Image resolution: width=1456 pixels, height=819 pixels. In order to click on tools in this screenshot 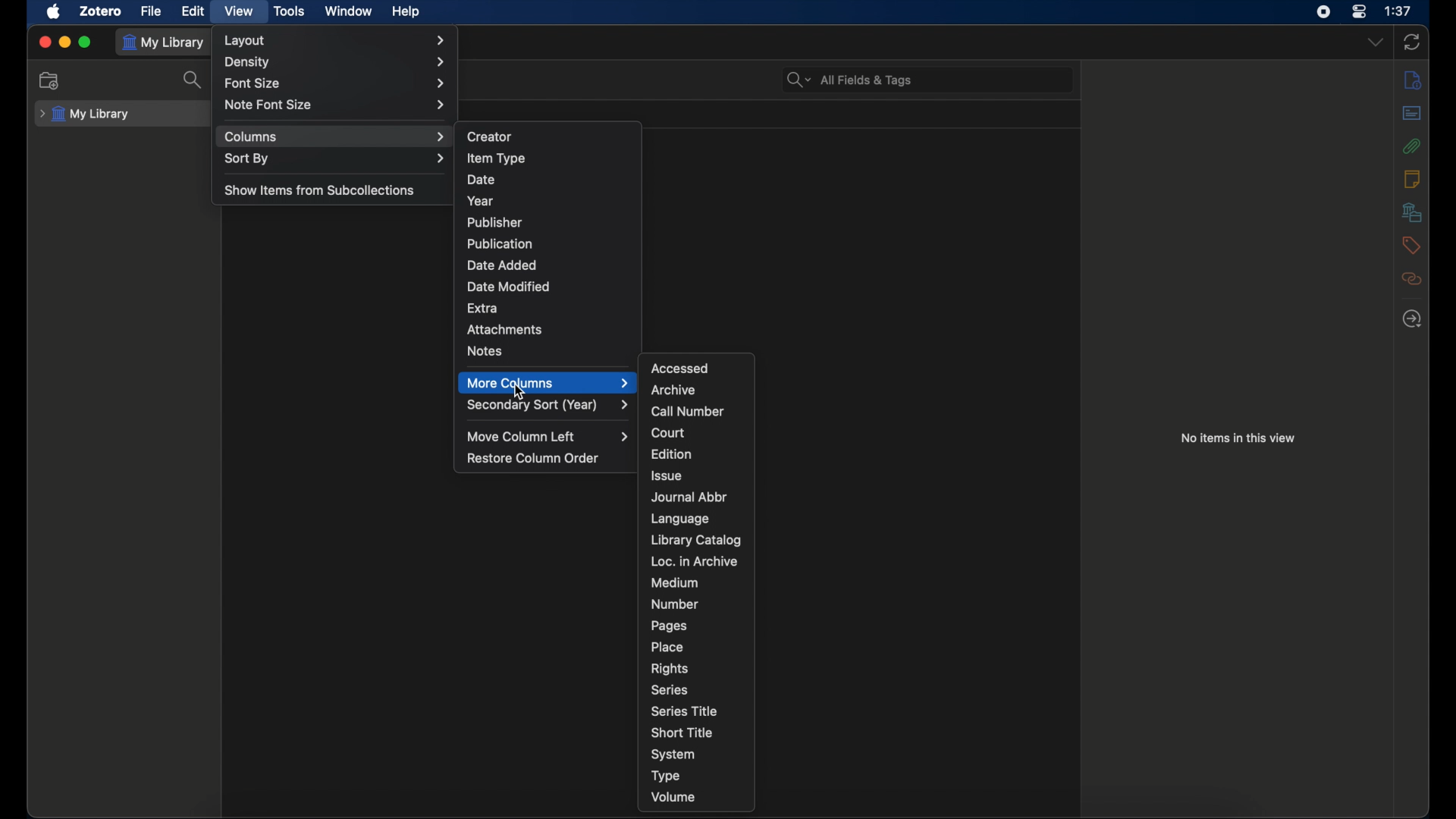, I will do `click(290, 11)`.